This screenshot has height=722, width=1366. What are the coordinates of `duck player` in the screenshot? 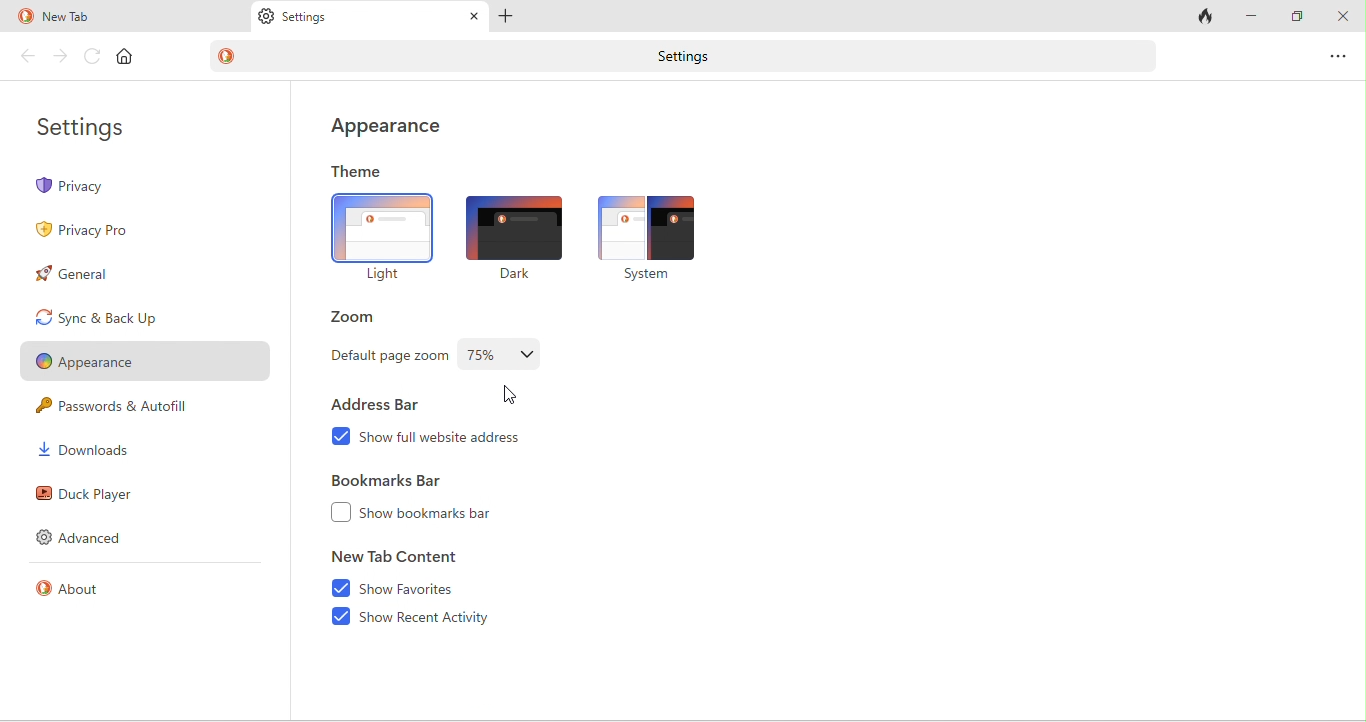 It's located at (92, 494).